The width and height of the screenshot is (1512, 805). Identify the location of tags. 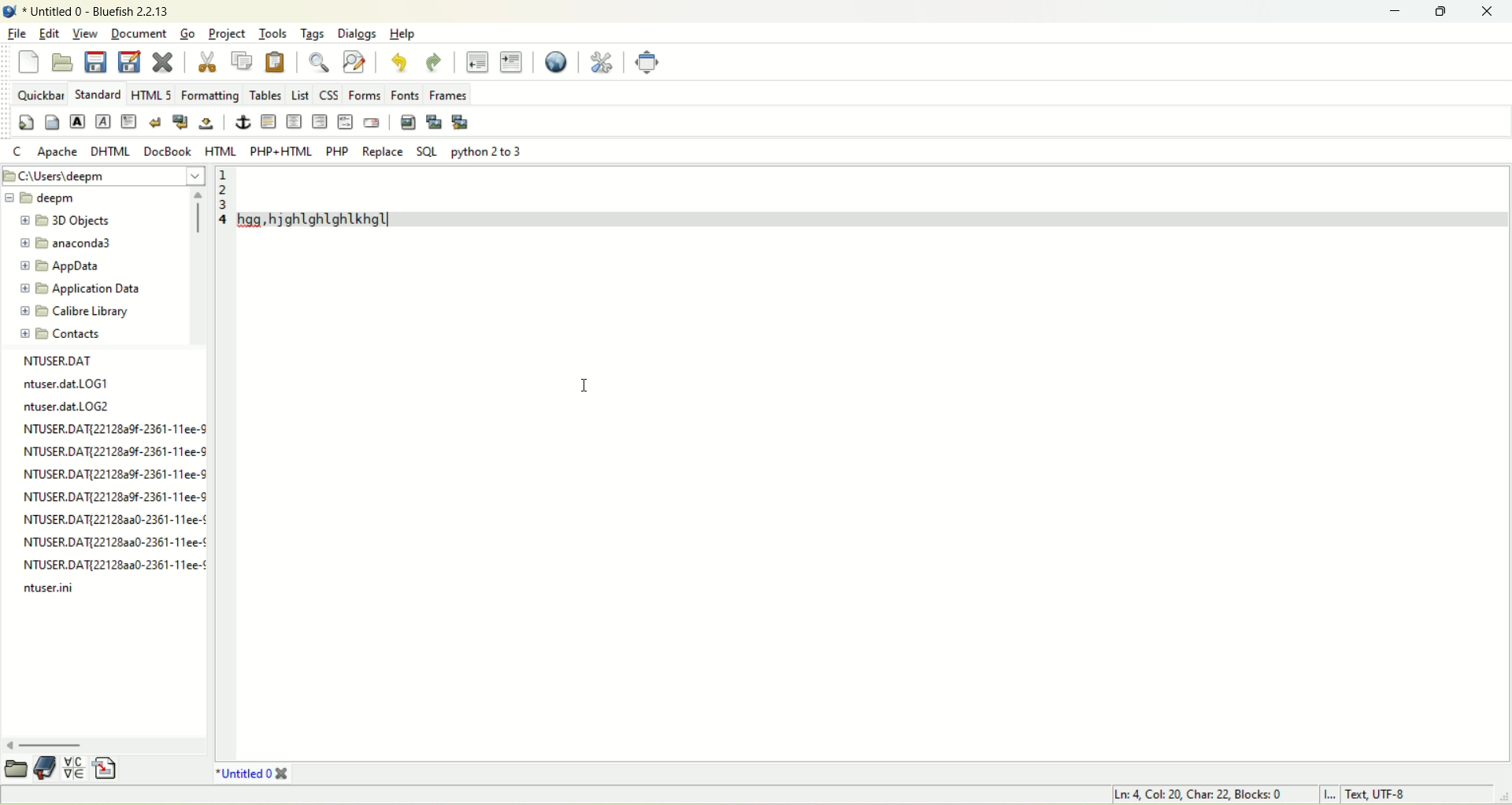
(316, 35).